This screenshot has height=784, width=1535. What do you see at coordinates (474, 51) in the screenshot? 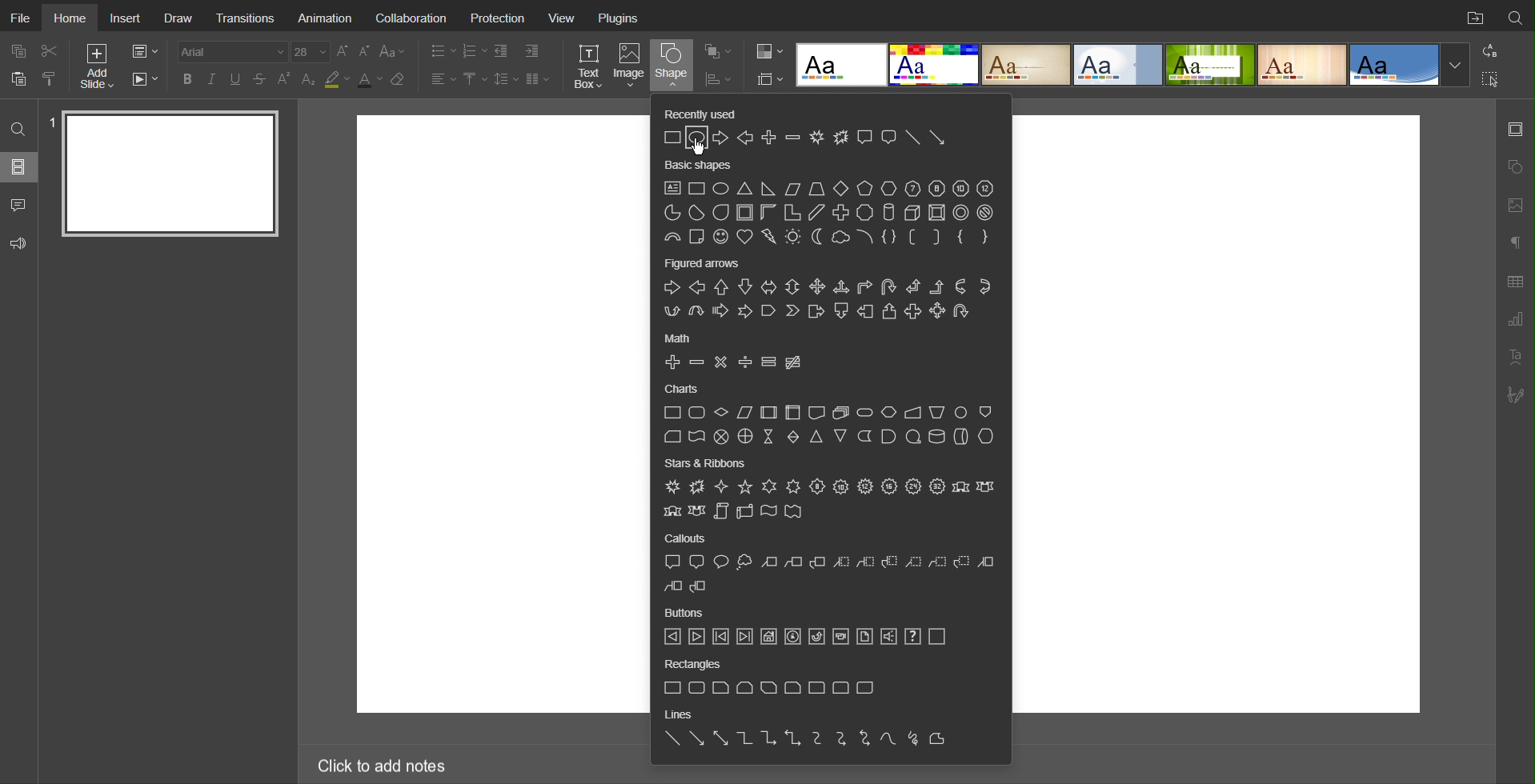
I see `Number List` at bounding box center [474, 51].